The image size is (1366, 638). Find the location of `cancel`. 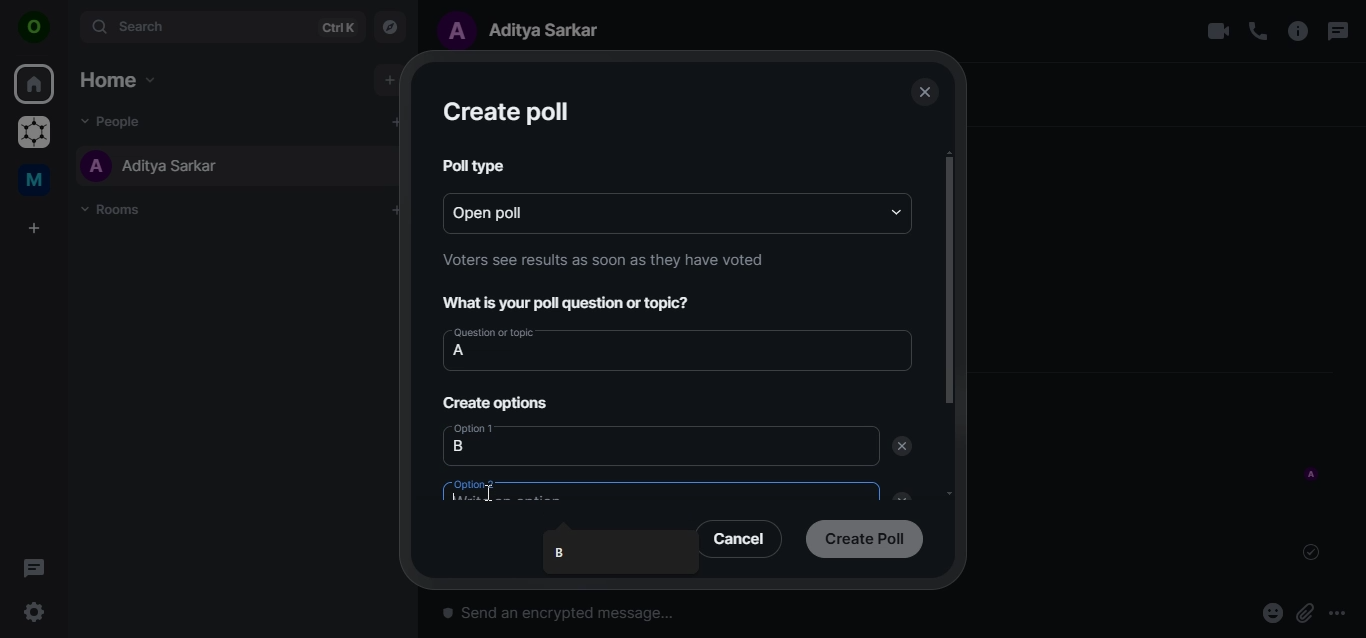

cancel is located at coordinates (742, 538).